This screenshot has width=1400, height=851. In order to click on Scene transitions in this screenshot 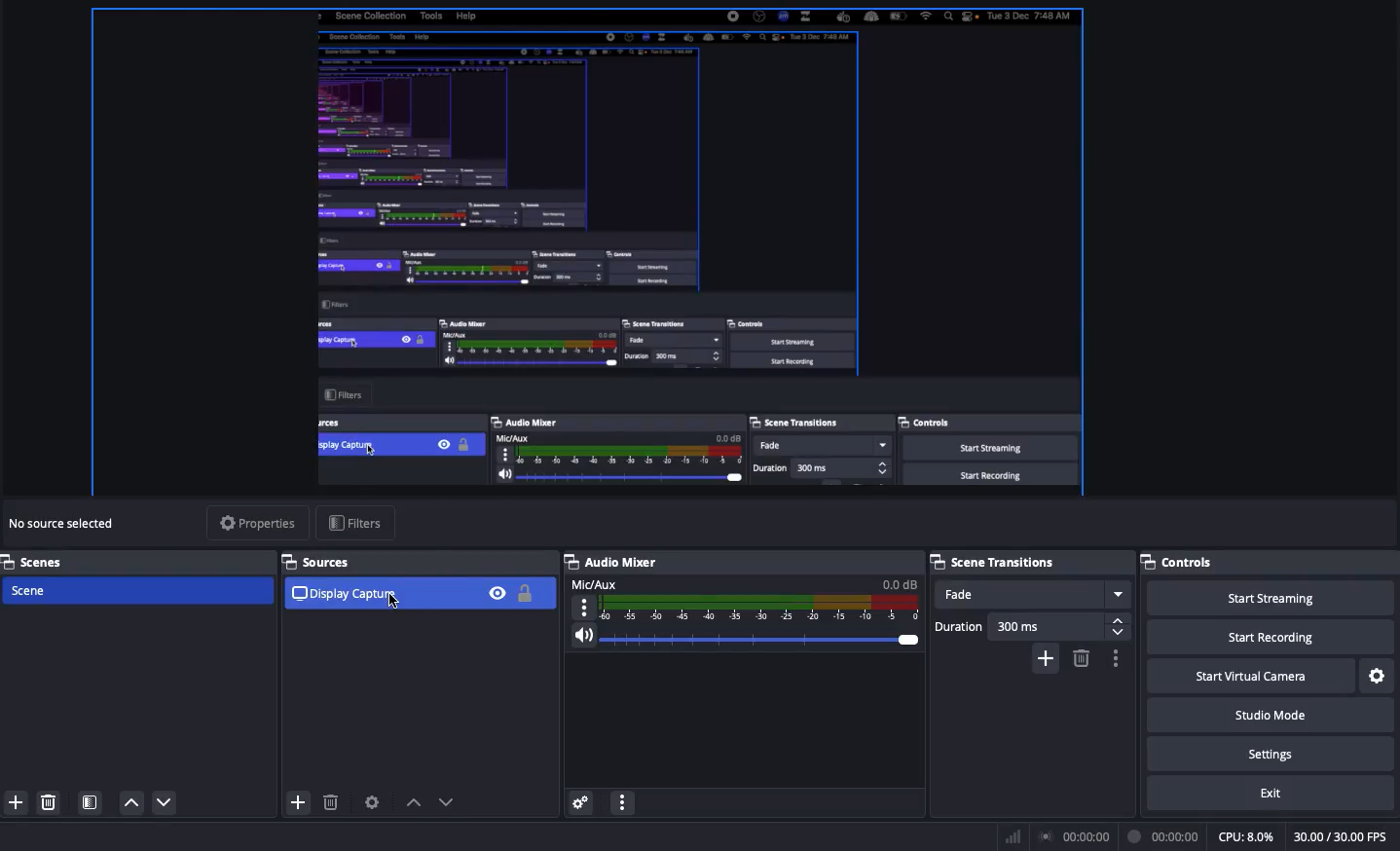, I will do `click(1030, 562)`.